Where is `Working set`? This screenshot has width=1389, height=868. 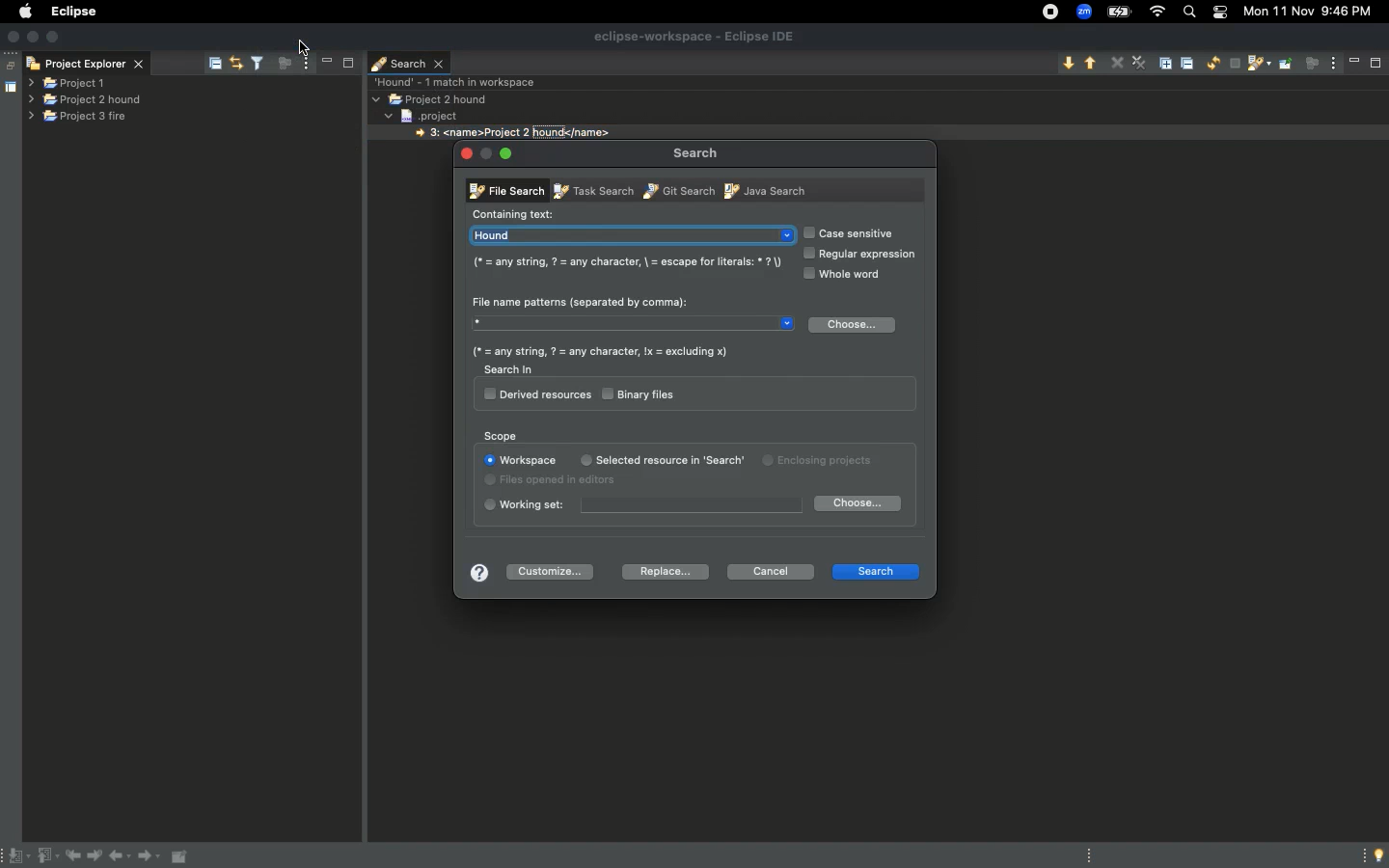
Working set is located at coordinates (640, 505).